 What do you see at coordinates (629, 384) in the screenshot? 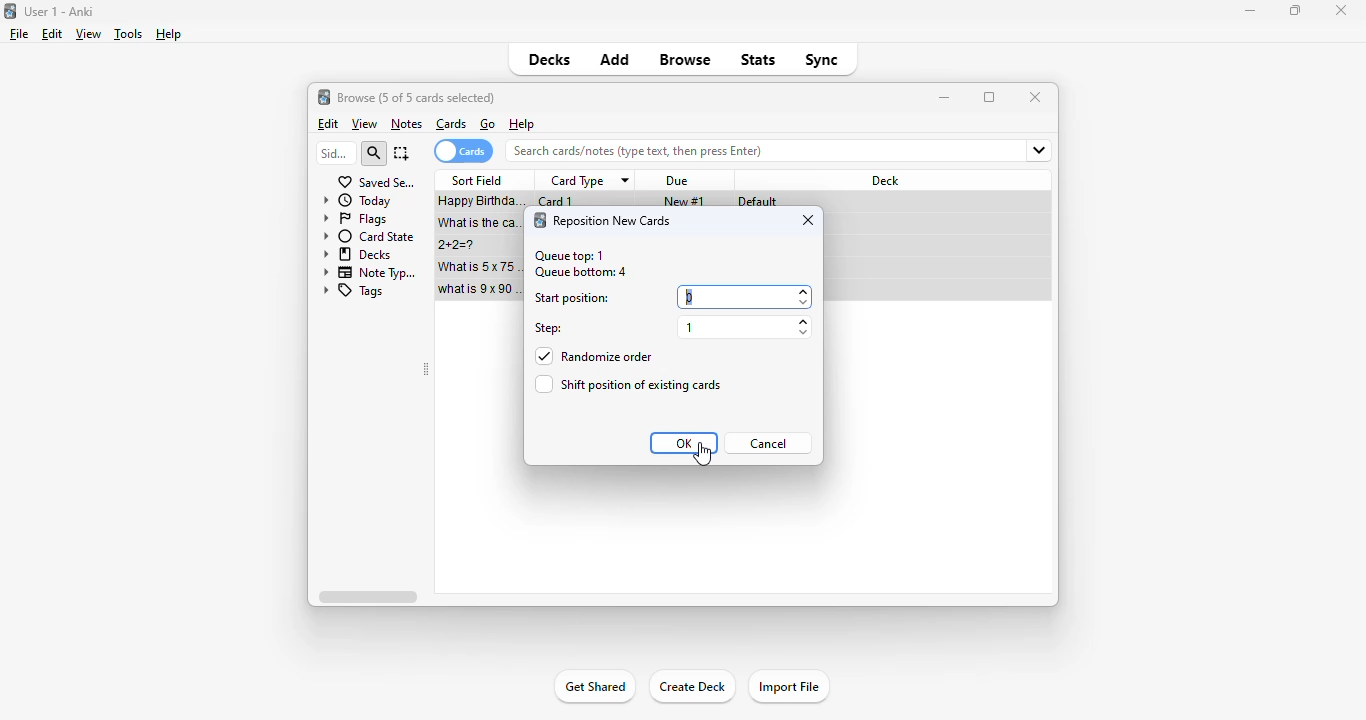
I see `shift position of existing cards` at bounding box center [629, 384].